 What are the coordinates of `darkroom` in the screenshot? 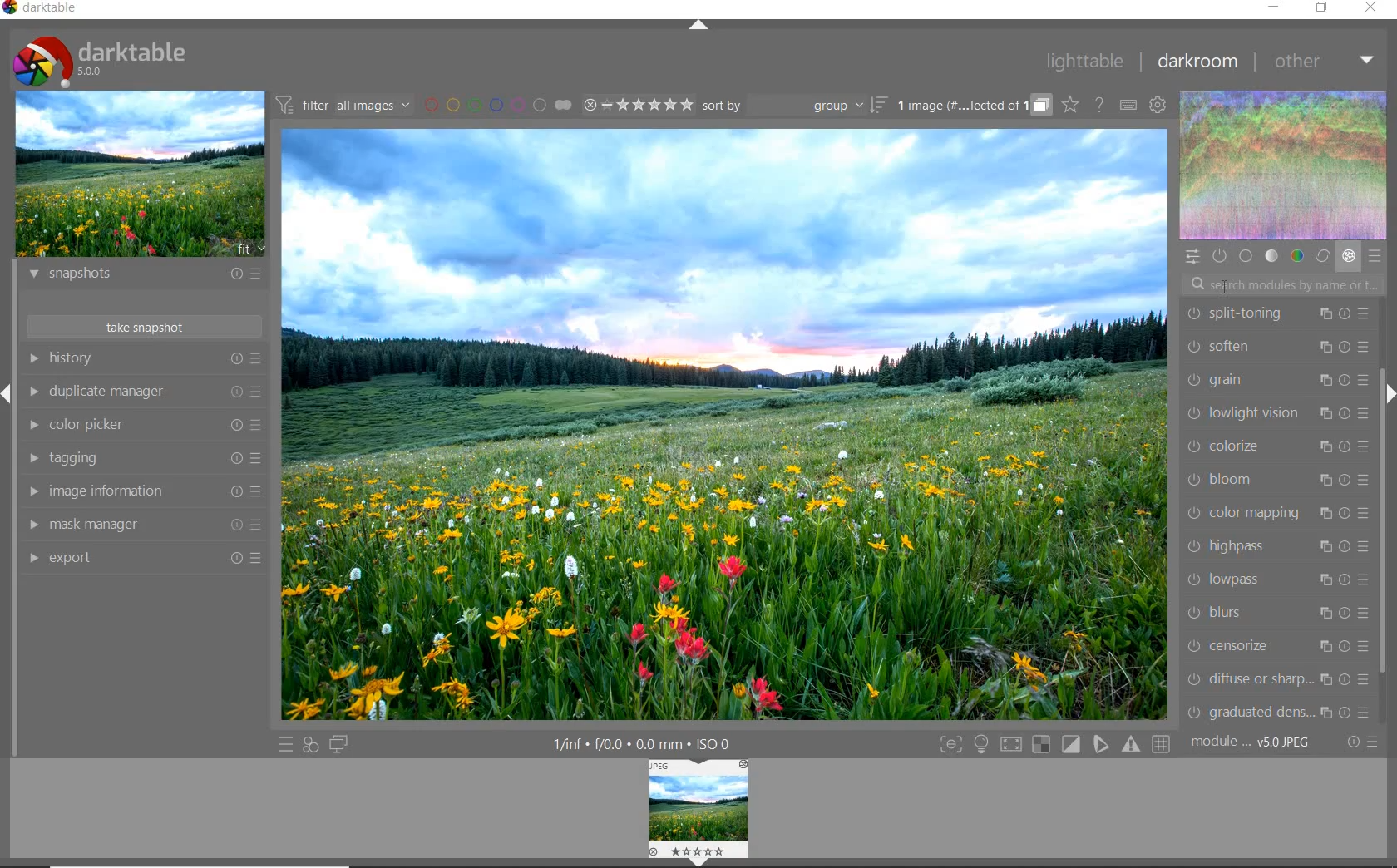 It's located at (1199, 62).